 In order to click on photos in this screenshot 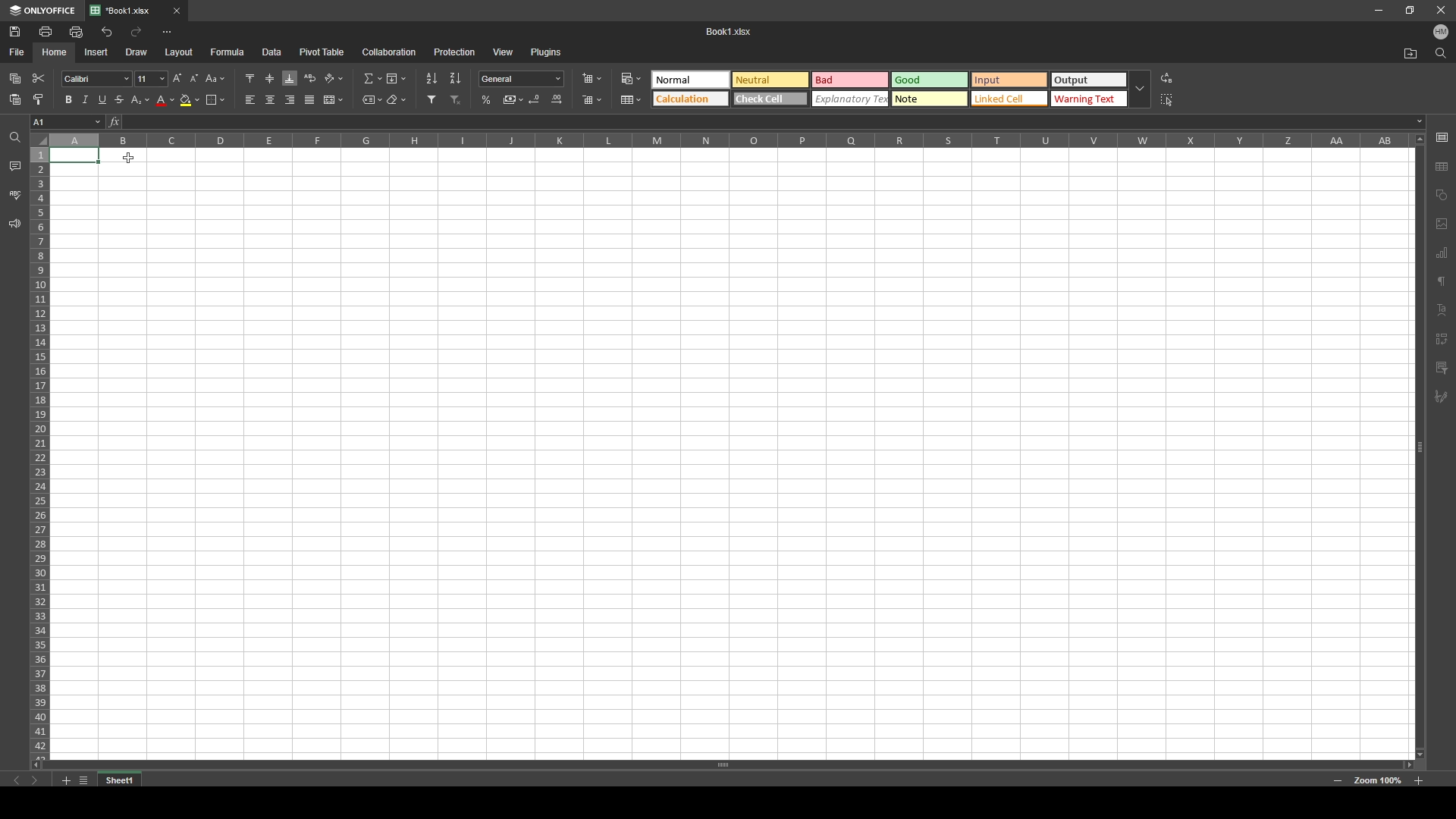, I will do `click(1442, 224)`.